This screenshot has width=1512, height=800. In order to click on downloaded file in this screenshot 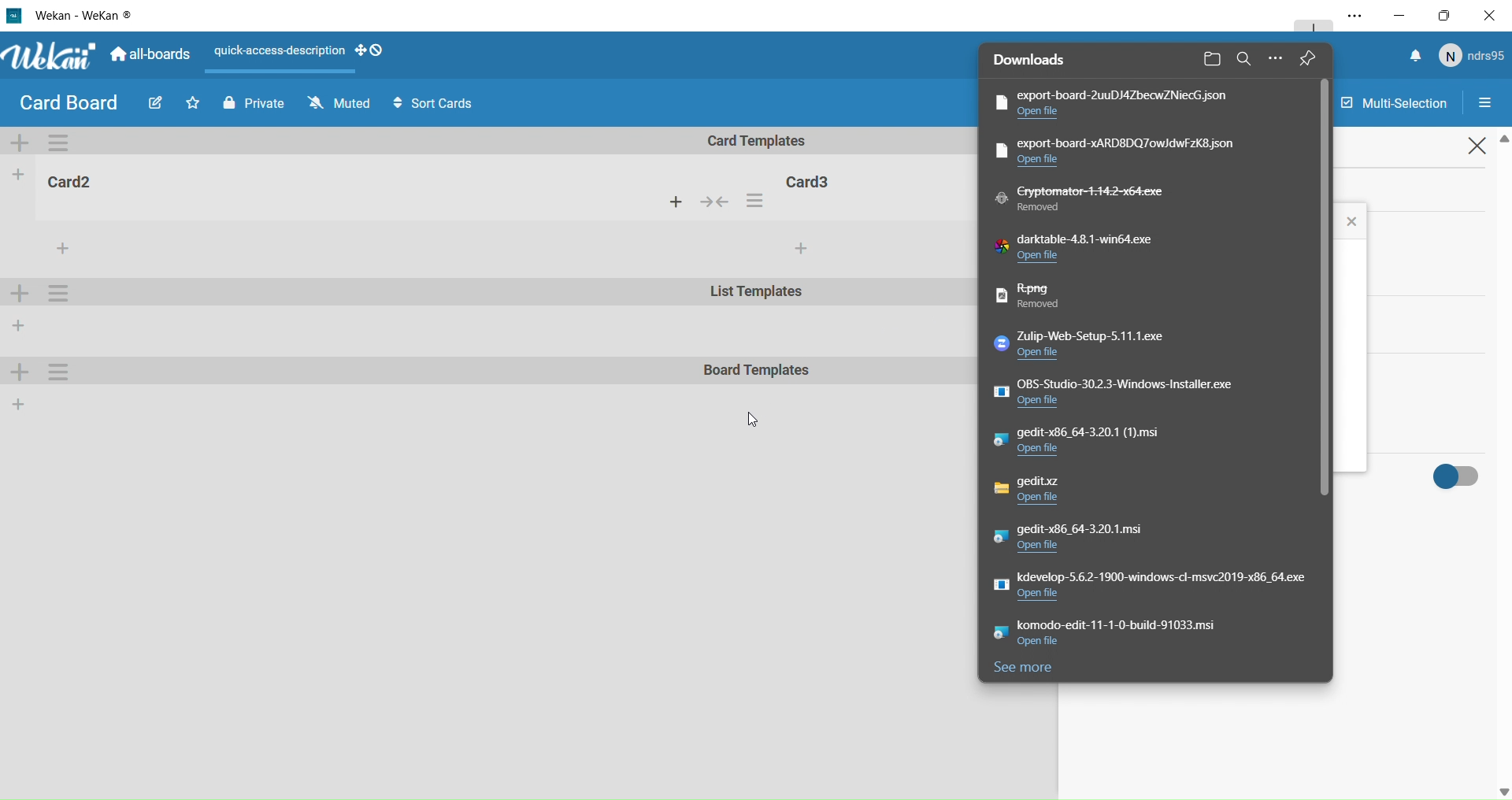, I will do `click(1161, 635)`.